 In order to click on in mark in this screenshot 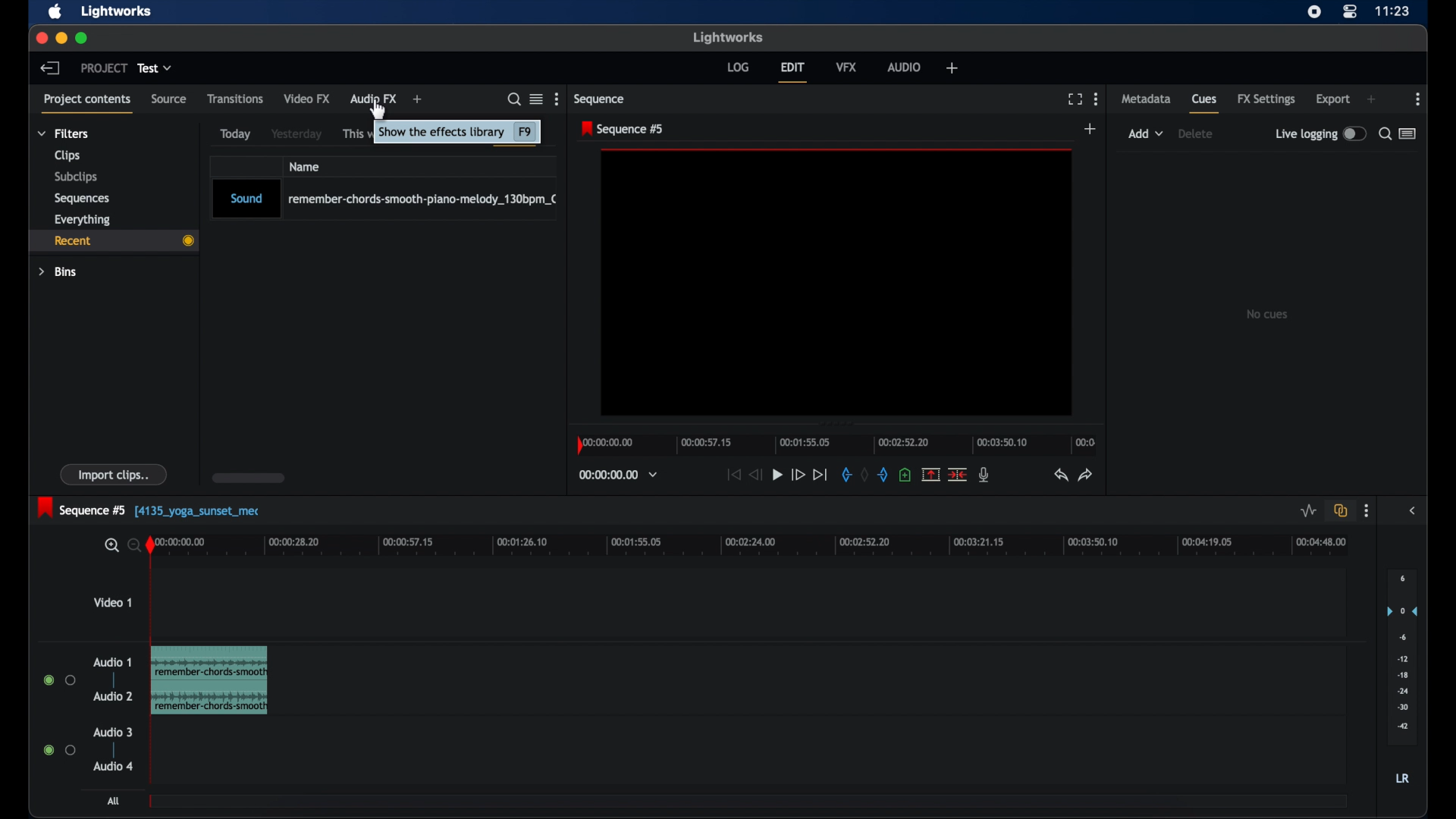, I will do `click(845, 474)`.